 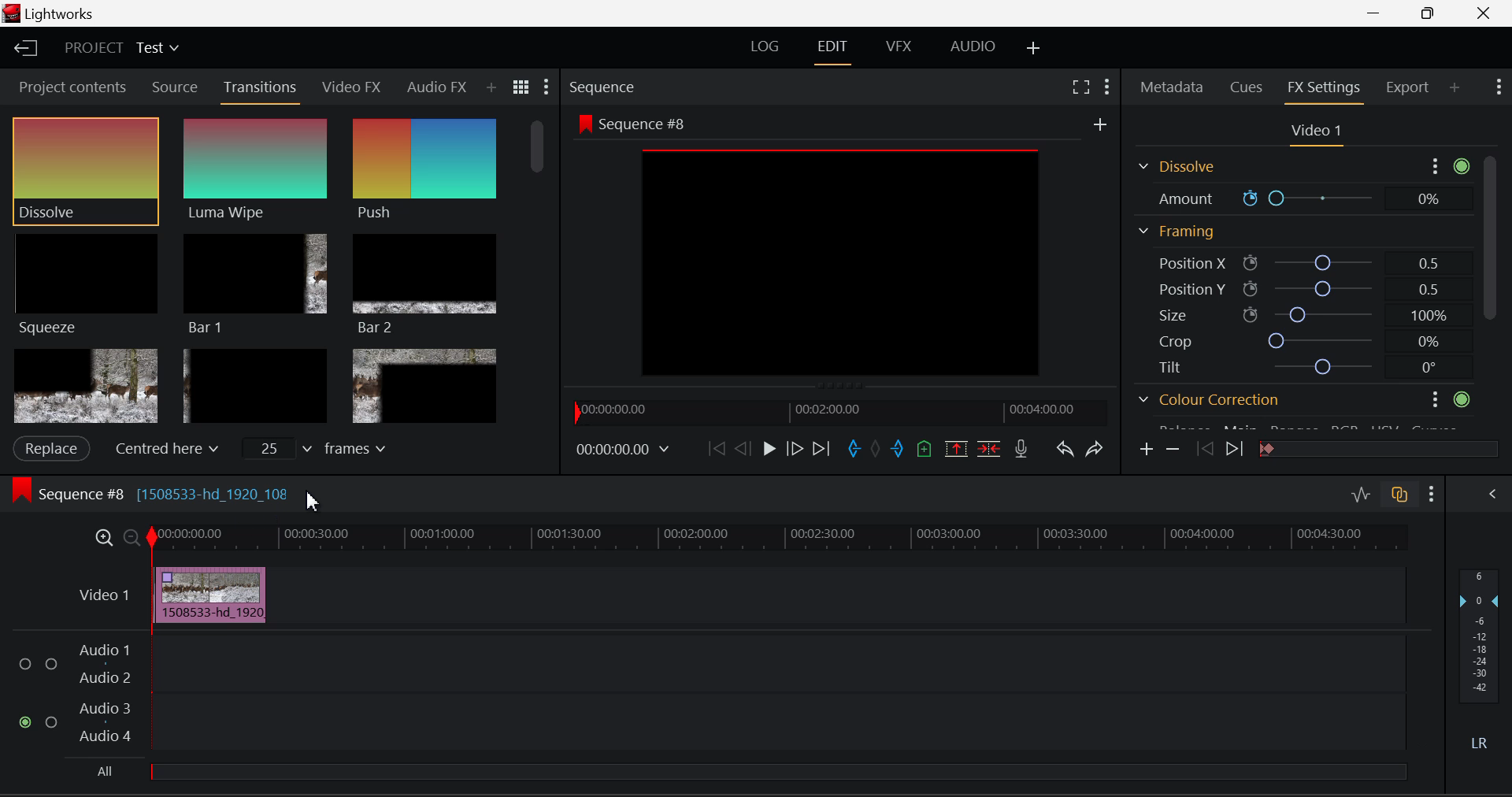 What do you see at coordinates (776, 724) in the screenshot?
I see `Audio Input Field` at bounding box center [776, 724].